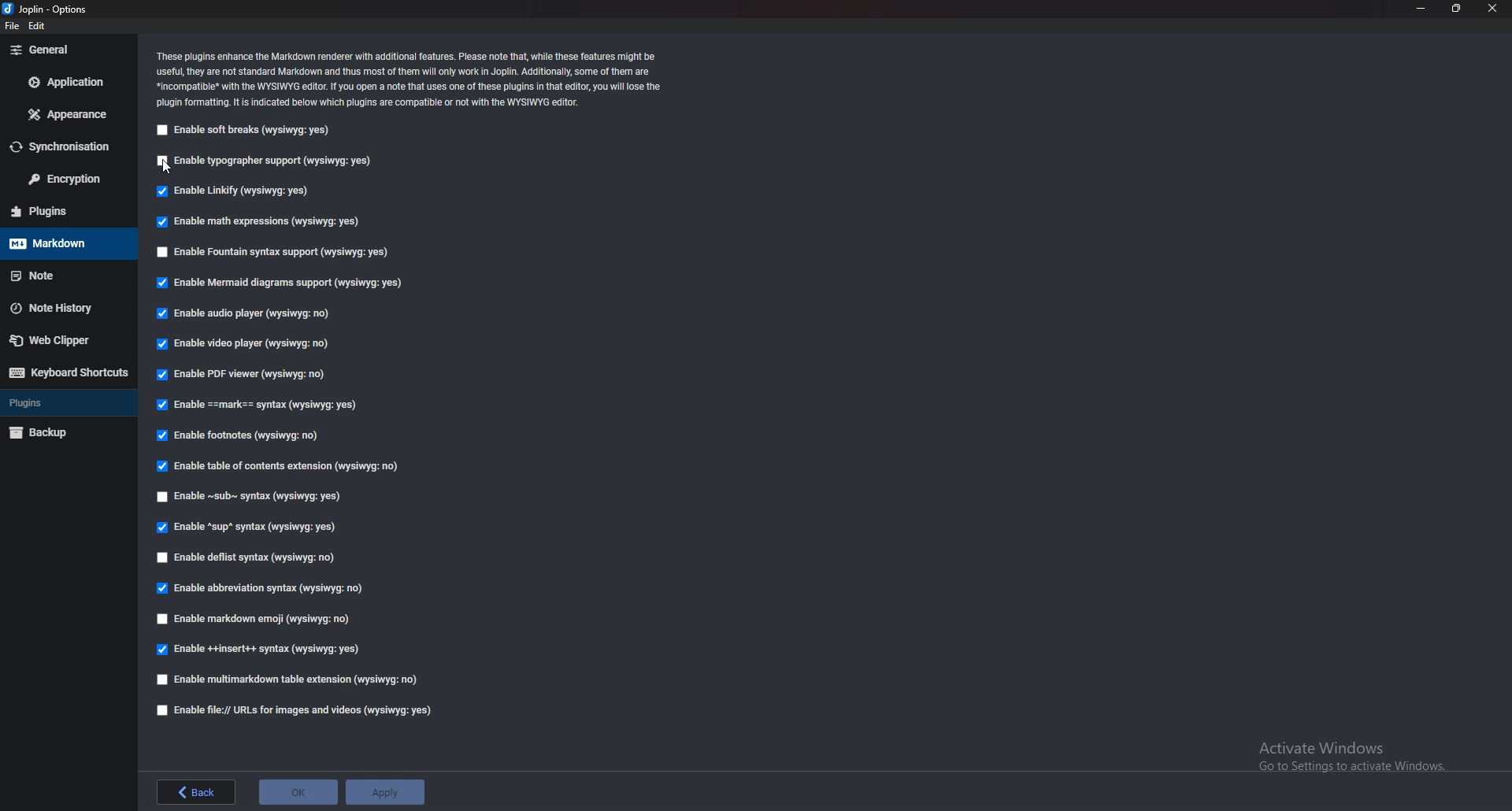 This screenshot has height=811, width=1512. What do you see at coordinates (63, 50) in the screenshot?
I see `general` at bounding box center [63, 50].